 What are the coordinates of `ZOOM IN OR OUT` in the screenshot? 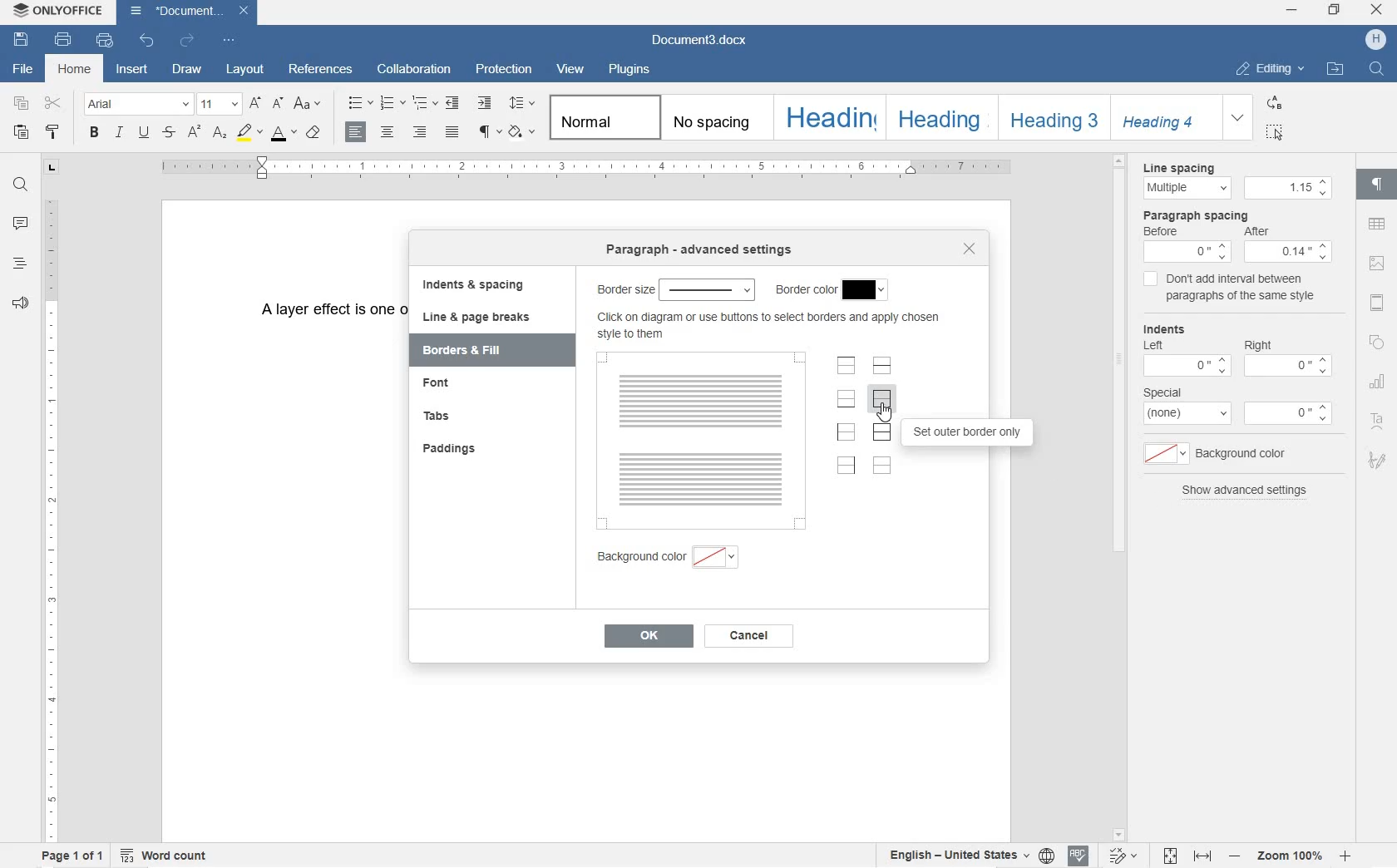 It's located at (1291, 856).